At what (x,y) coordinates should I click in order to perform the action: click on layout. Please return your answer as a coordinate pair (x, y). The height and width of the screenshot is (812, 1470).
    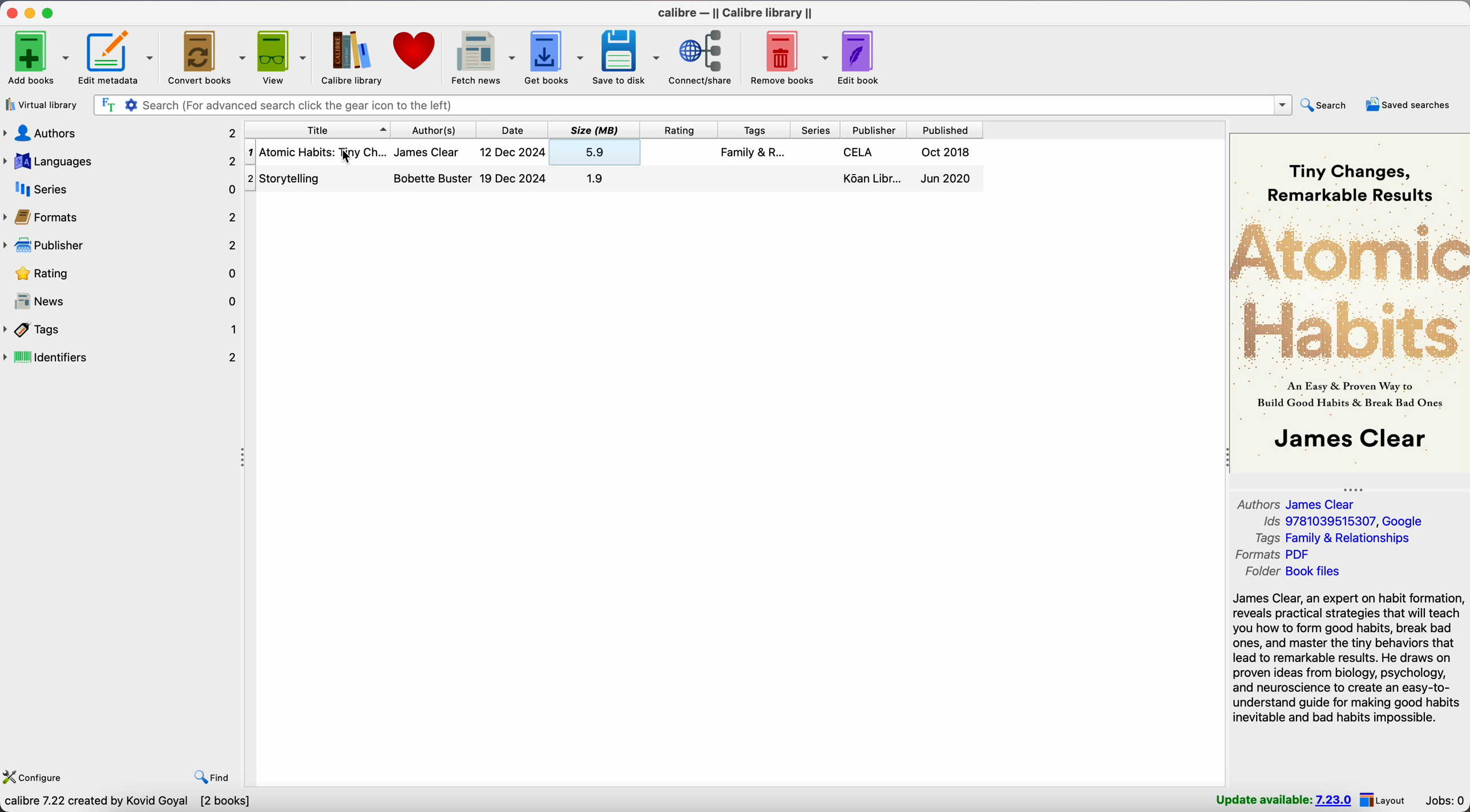
    Looking at the image, I should click on (1383, 800).